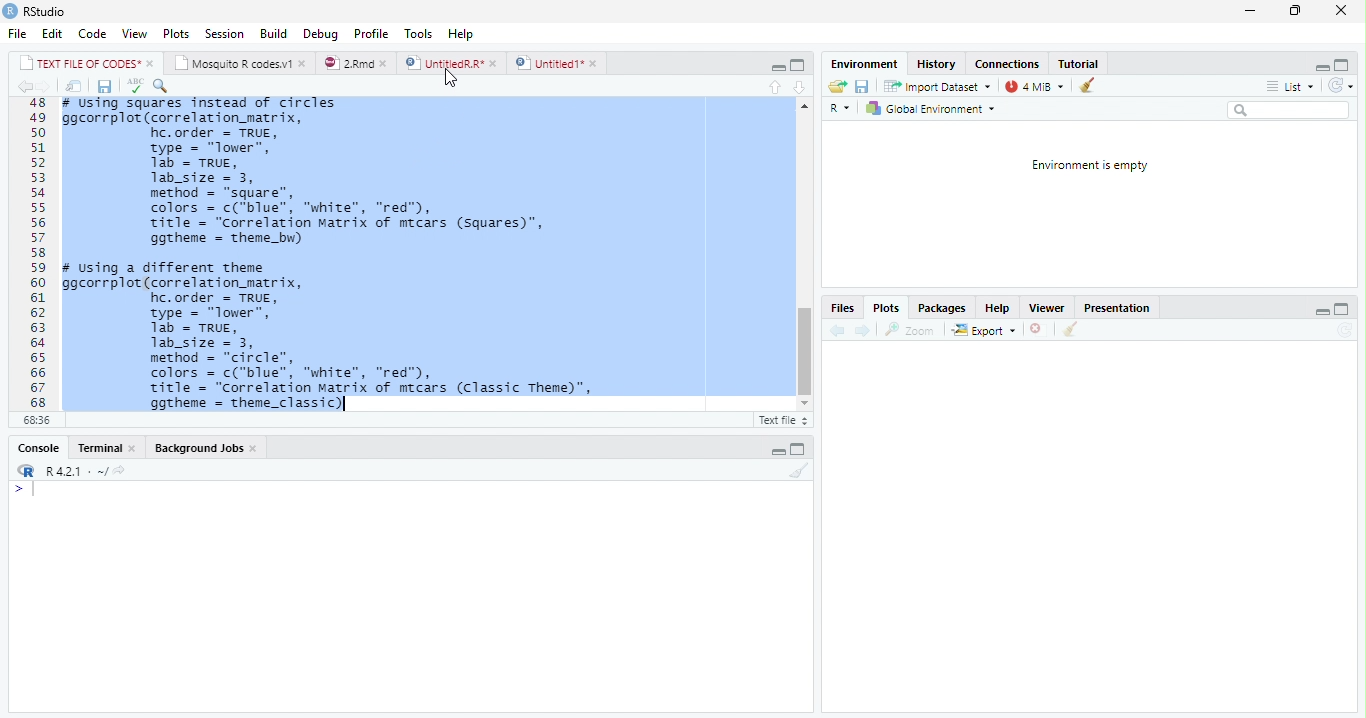  I want to click on View, so click(135, 32).